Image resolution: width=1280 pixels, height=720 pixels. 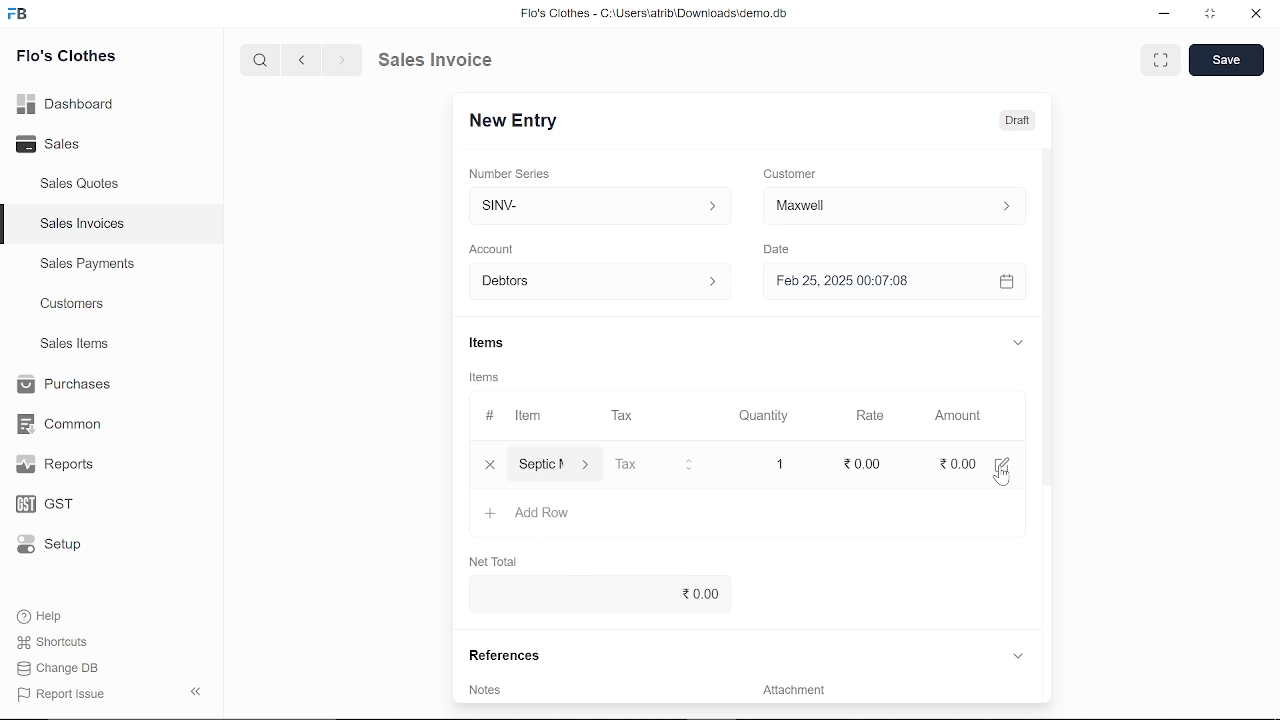 What do you see at coordinates (876, 282) in the screenshot?
I see `H Feb 25, 2025 00:07:08 ` at bounding box center [876, 282].